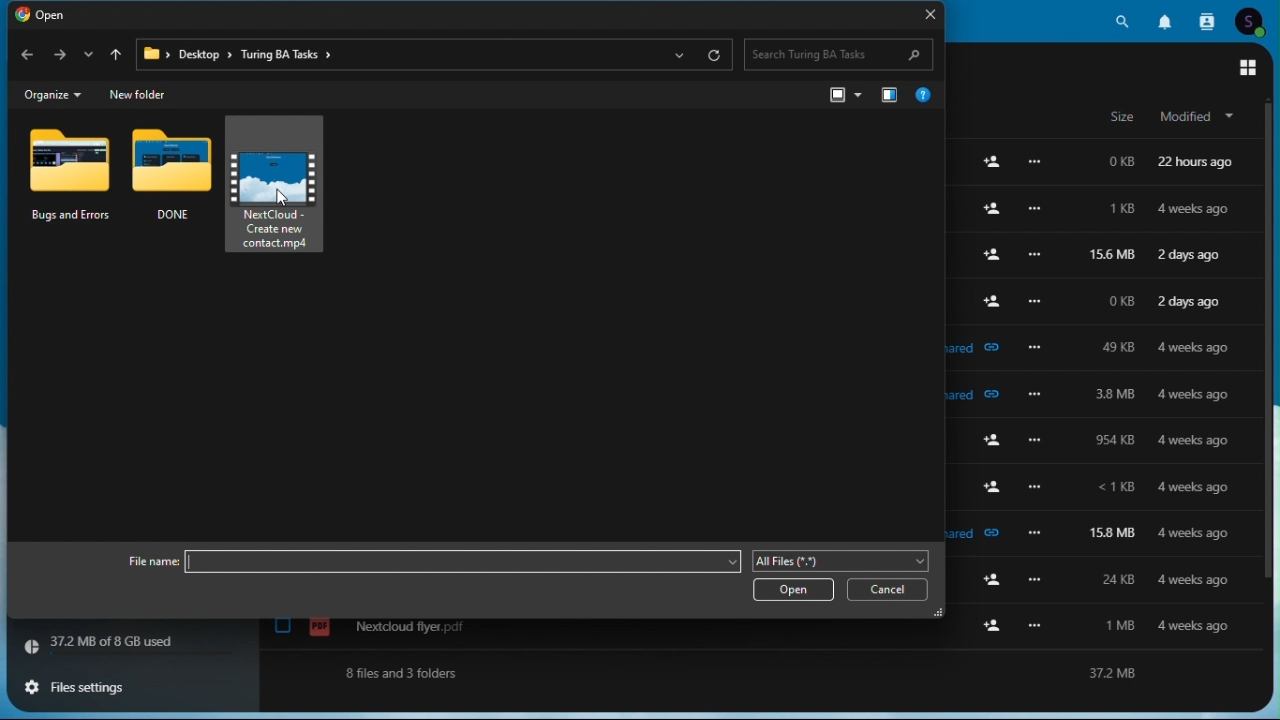 This screenshot has width=1280, height=720. What do you see at coordinates (887, 589) in the screenshot?
I see `cancel` at bounding box center [887, 589].